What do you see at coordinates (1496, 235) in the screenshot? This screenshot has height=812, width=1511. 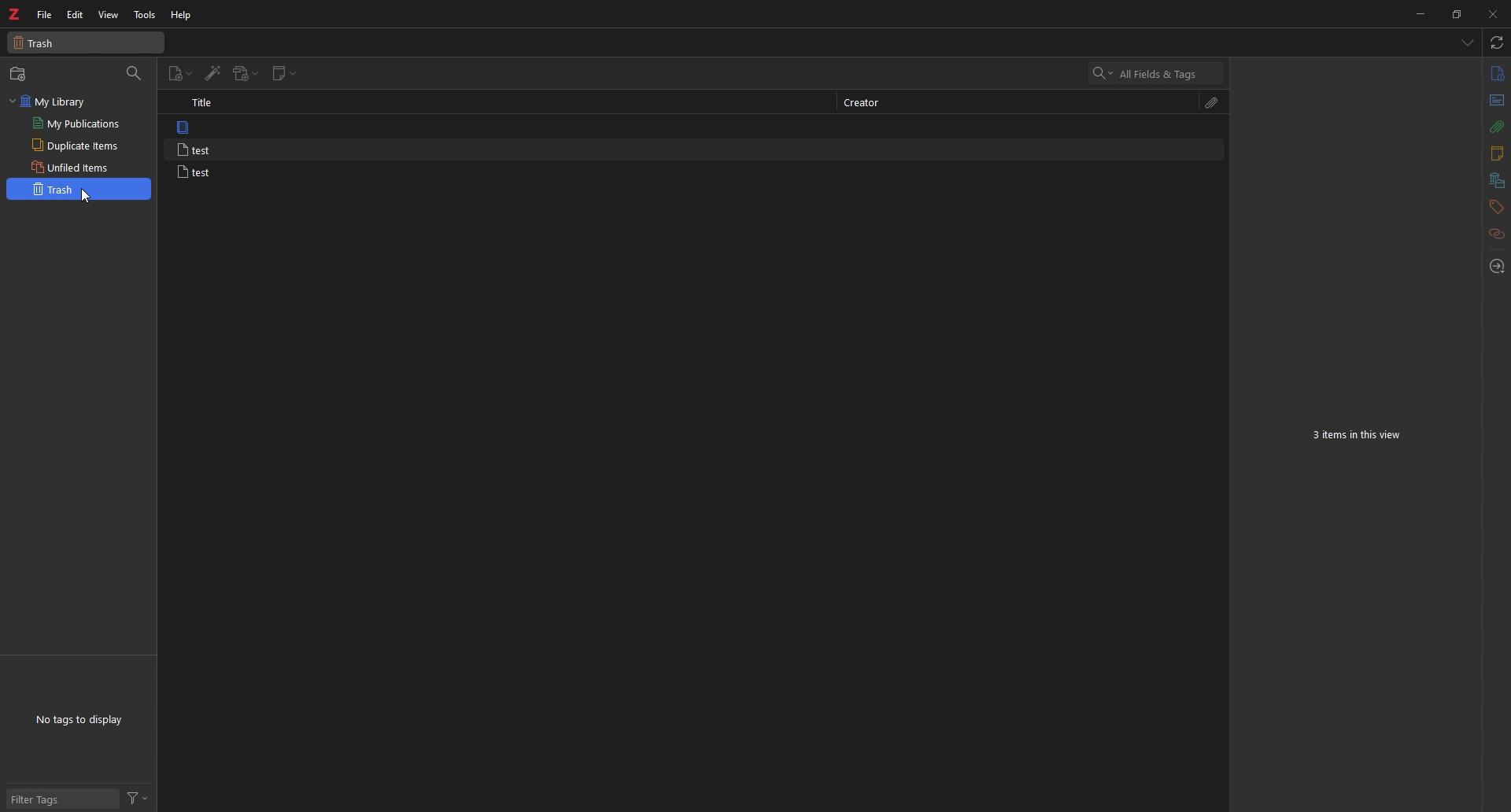 I see `related` at bounding box center [1496, 235].